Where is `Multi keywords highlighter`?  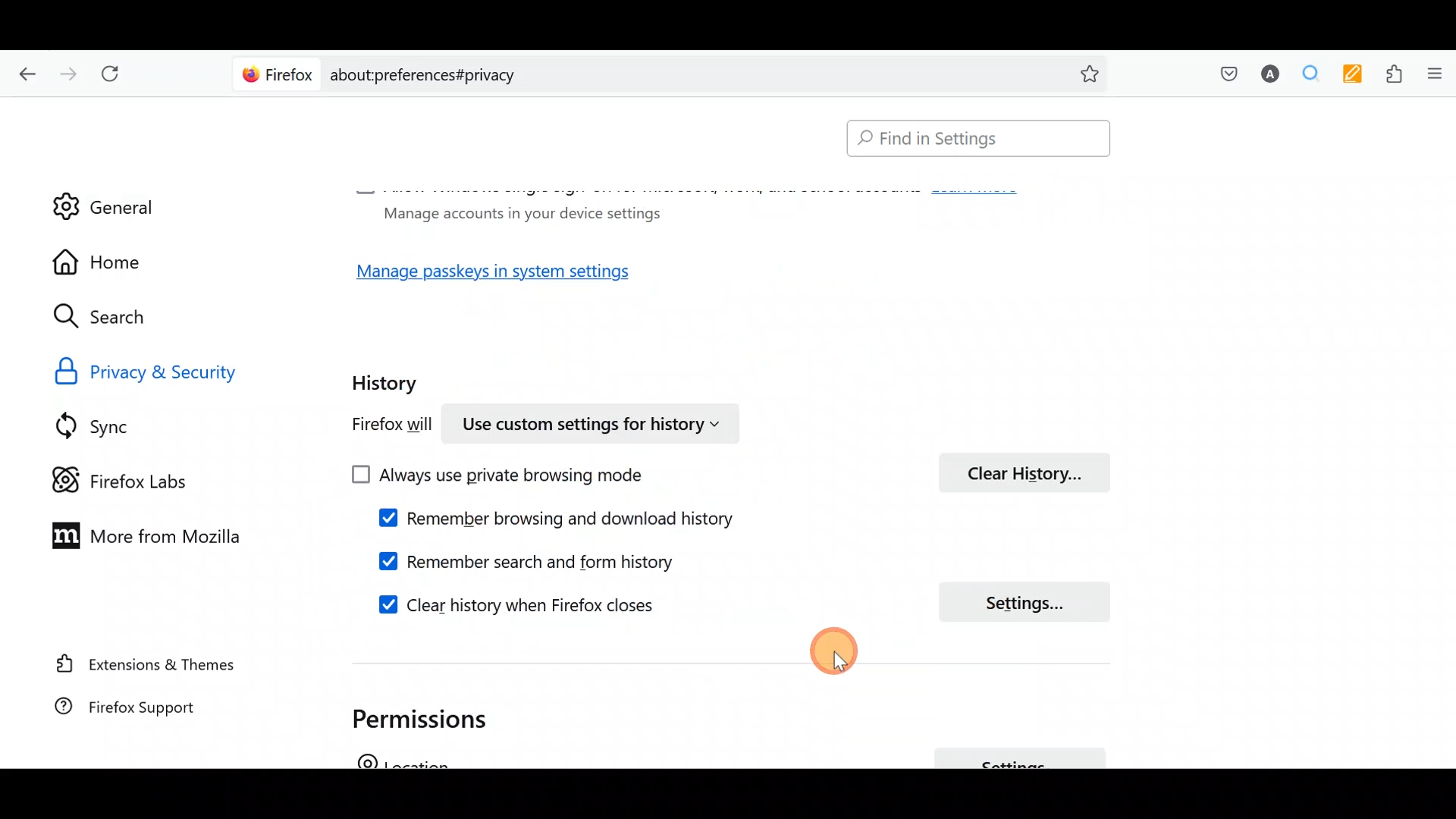
Multi keywords highlighter is located at coordinates (1348, 76).